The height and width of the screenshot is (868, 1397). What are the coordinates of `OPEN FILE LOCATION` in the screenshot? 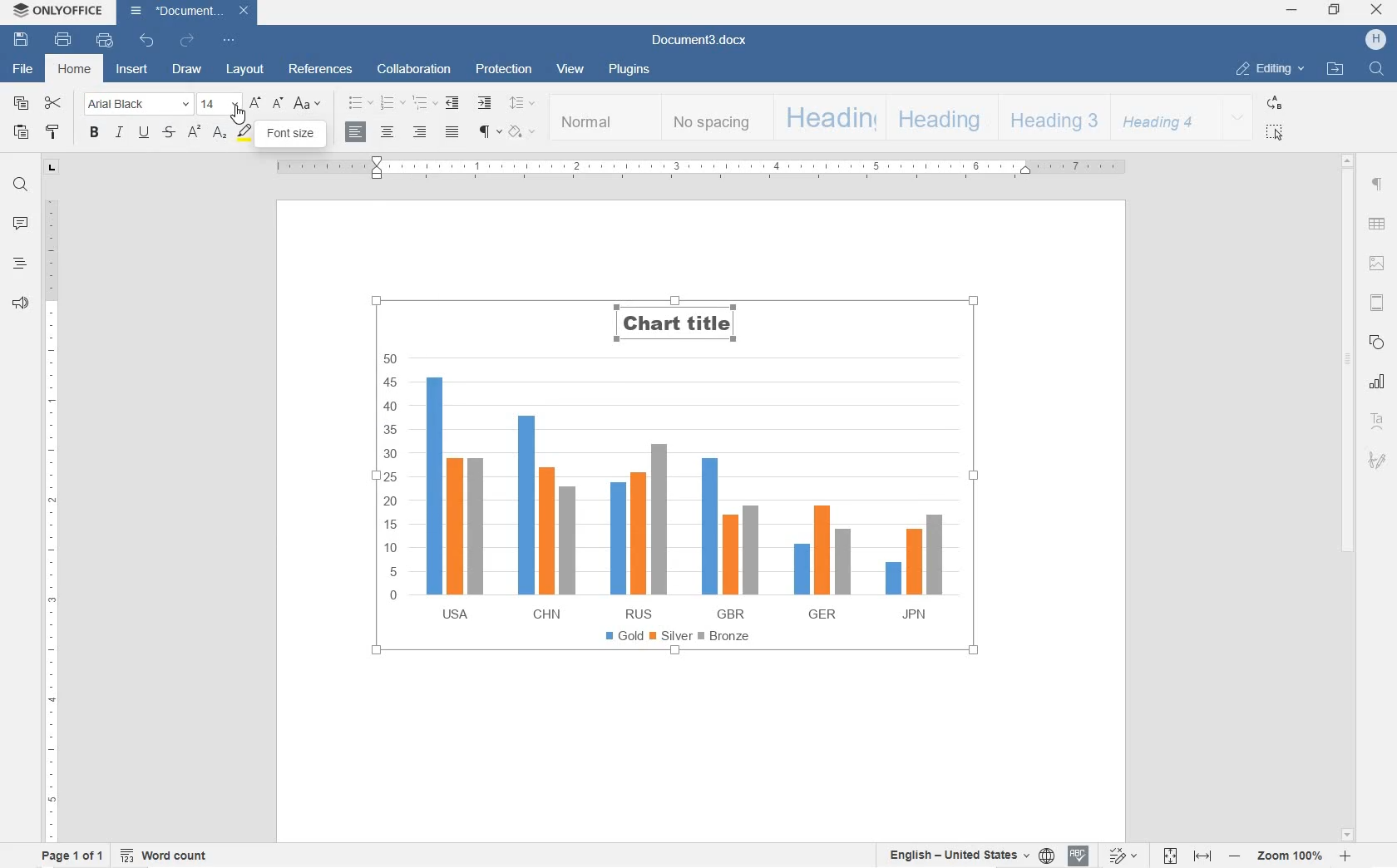 It's located at (1336, 68).